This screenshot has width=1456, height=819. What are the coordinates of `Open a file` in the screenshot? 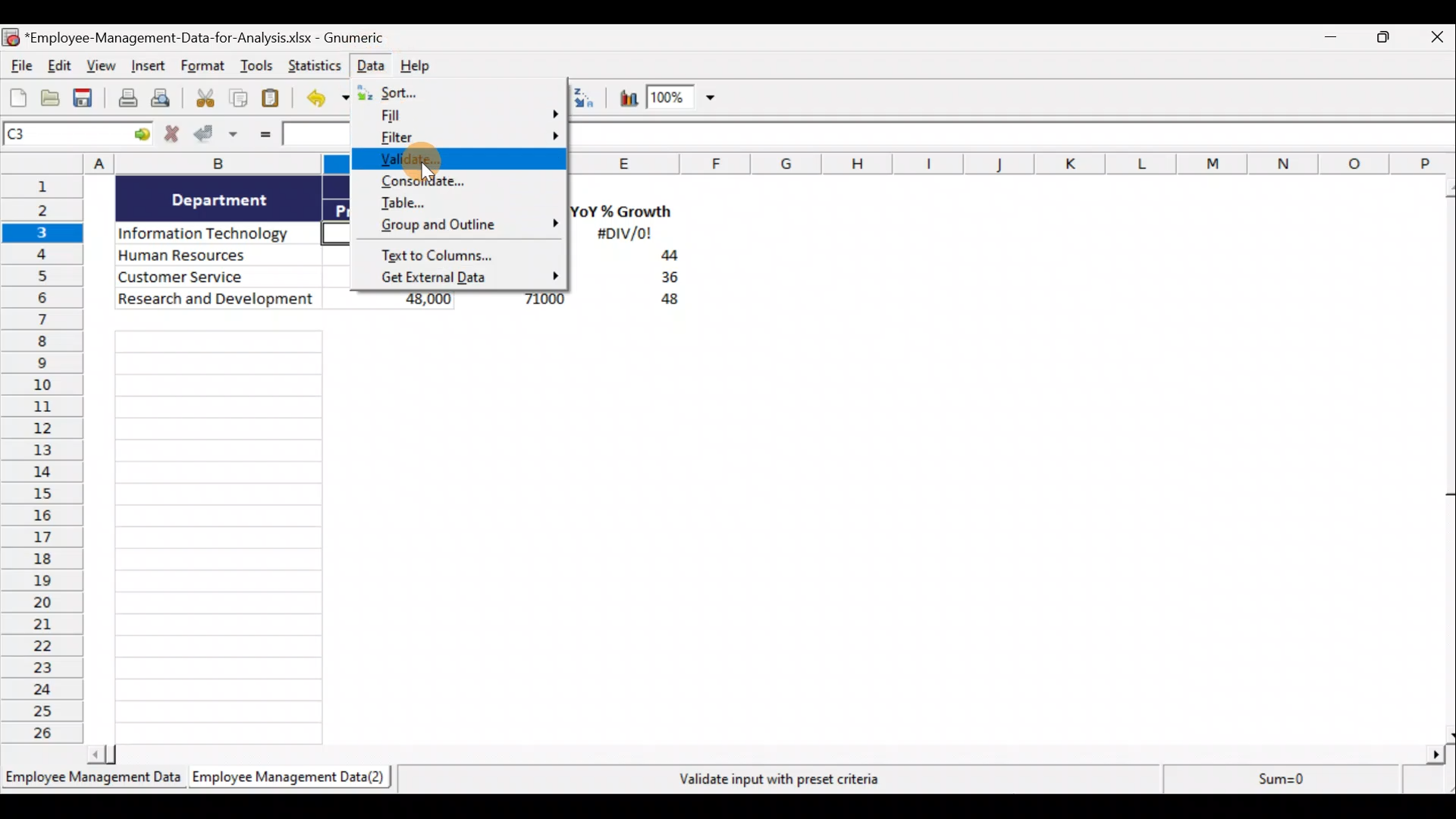 It's located at (51, 99).